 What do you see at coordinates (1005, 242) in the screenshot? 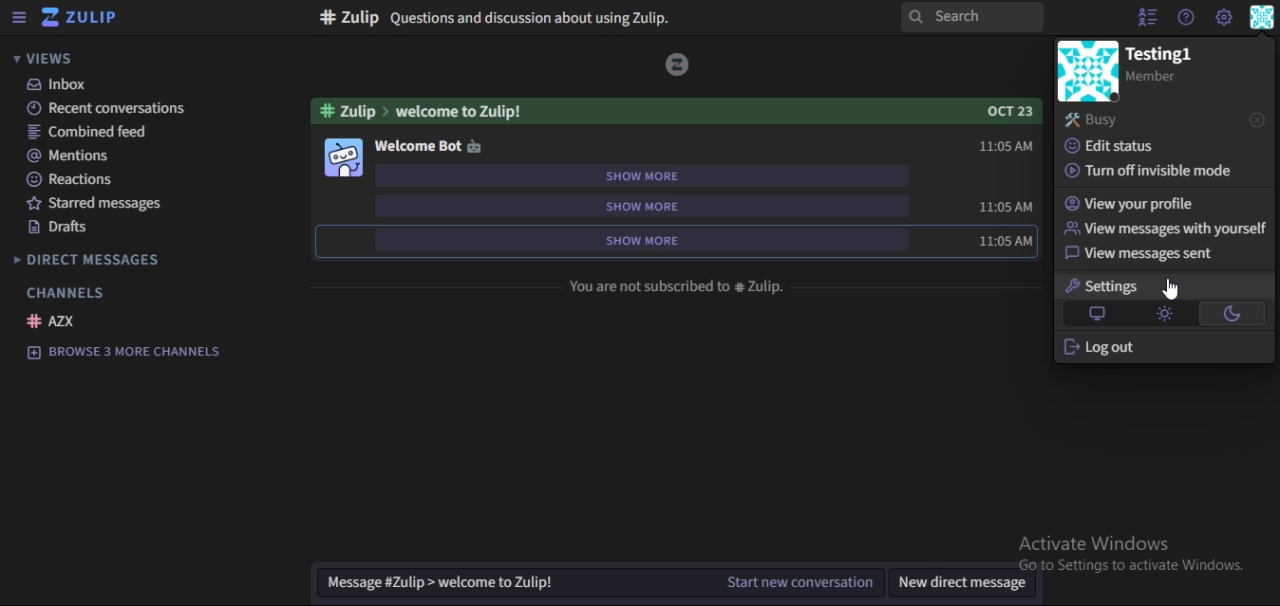
I see `11:05 AM` at bounding box center [1005, 242].